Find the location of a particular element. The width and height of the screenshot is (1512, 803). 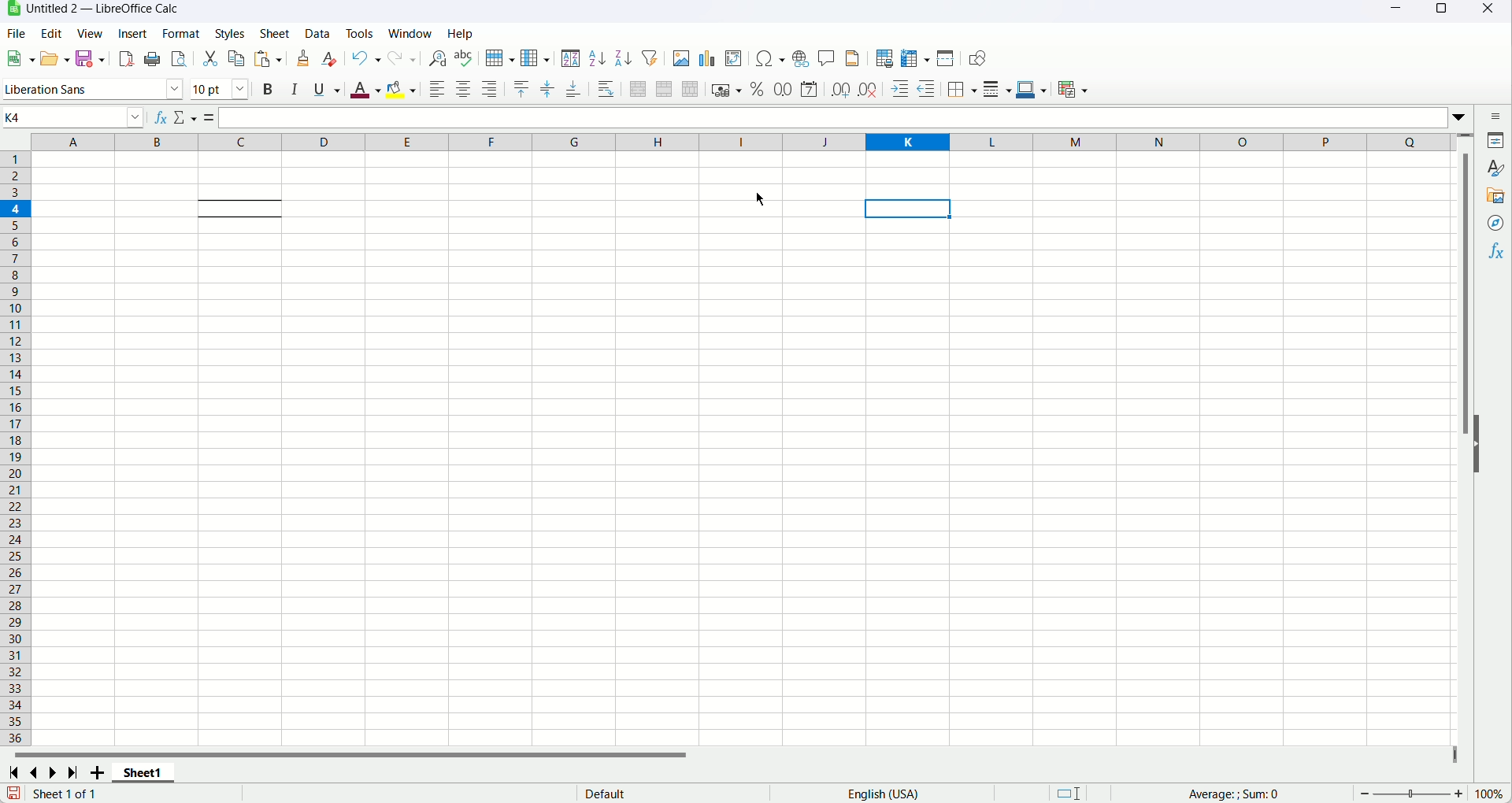

Format as date is located at coordinates (808, 89).